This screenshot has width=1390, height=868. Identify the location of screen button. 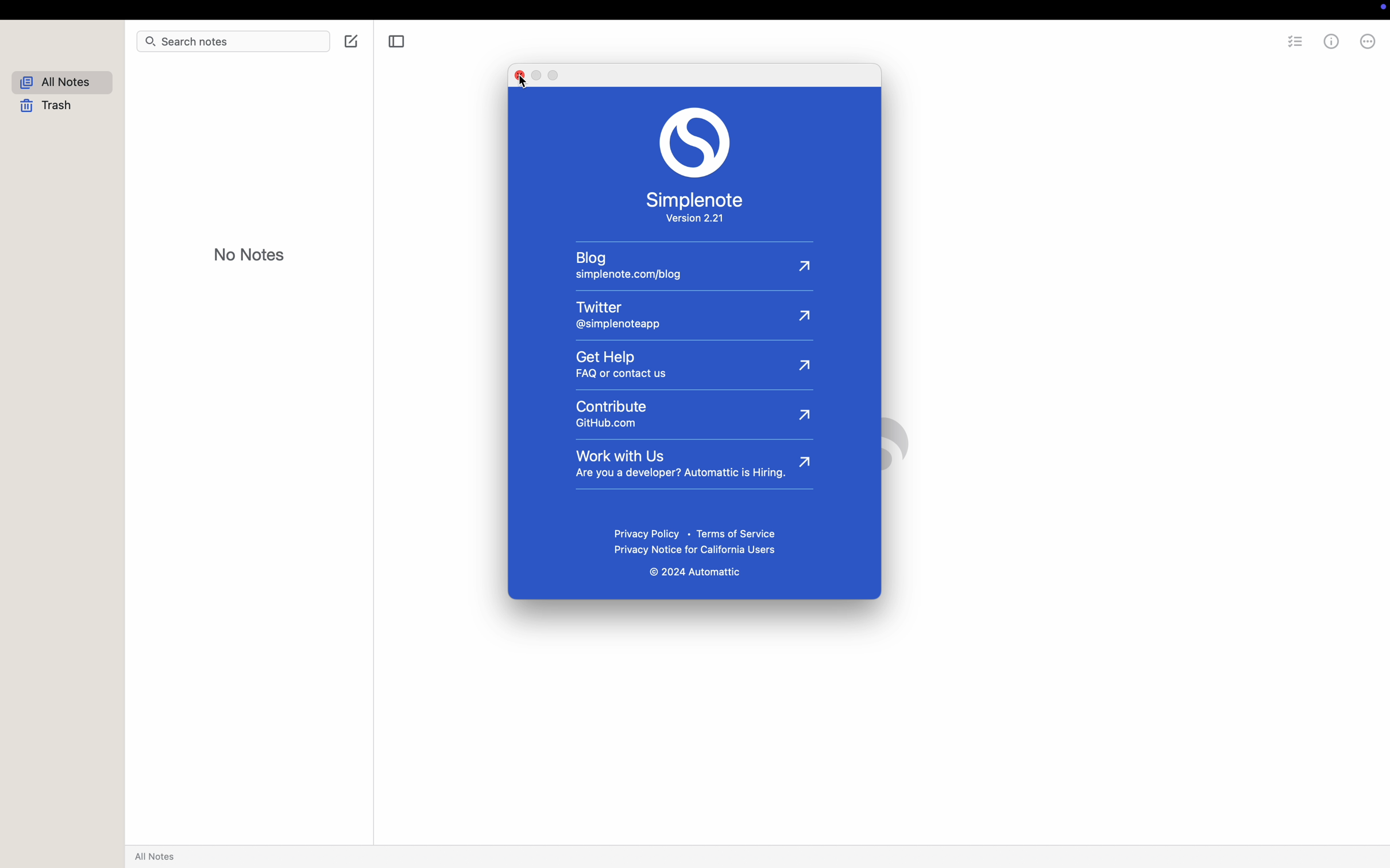
(1137, 9).